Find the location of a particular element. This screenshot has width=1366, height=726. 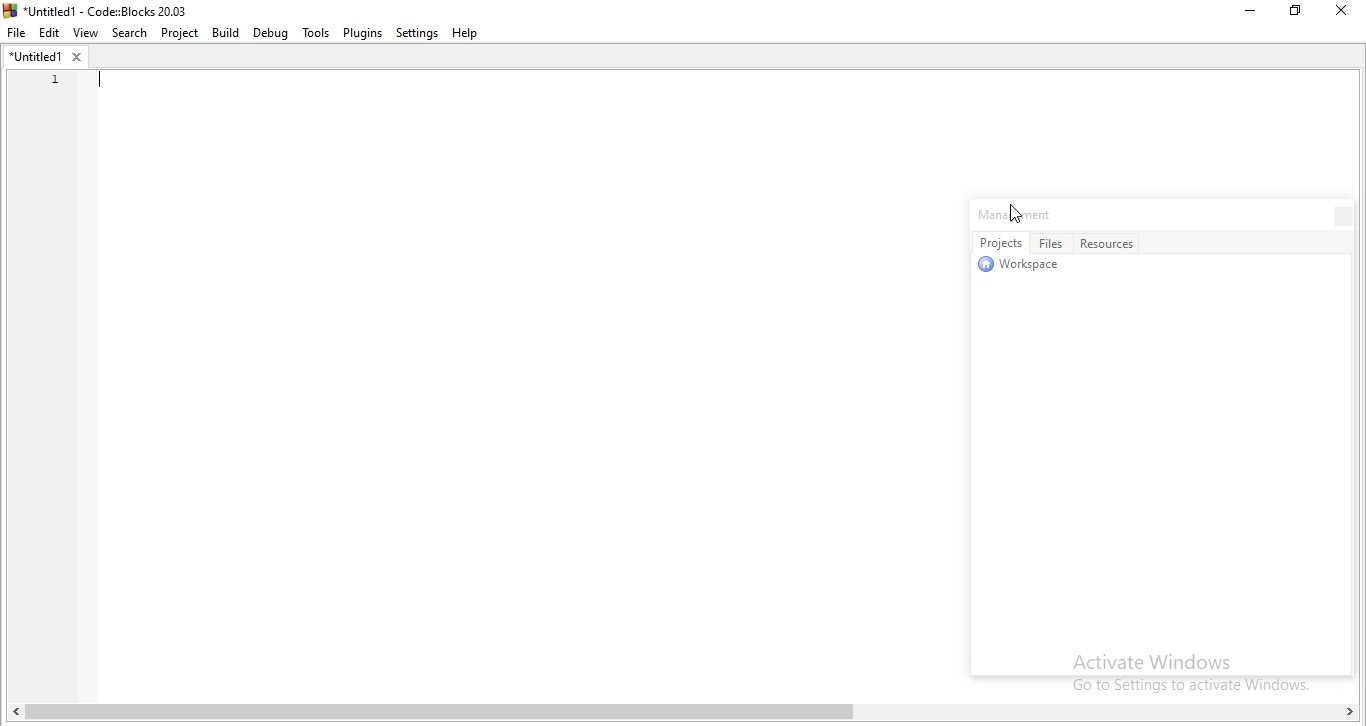

Tools  is located at coordinates (314, 33).